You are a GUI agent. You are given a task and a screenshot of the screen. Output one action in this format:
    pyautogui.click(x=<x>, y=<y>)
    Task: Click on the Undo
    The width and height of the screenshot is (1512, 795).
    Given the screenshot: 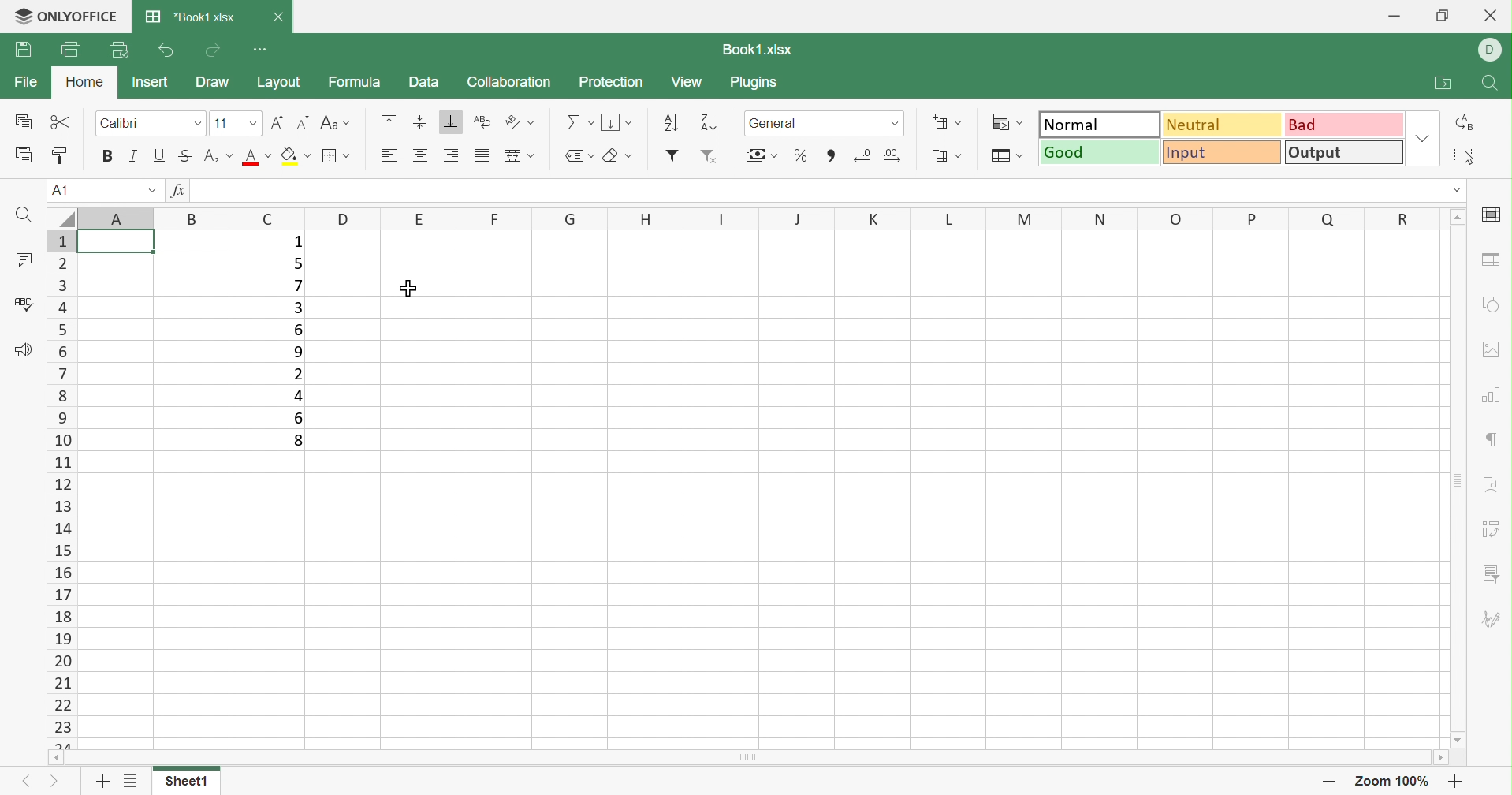 What is the action you would take?
    pyautogui.click(x=168, y=52)
    